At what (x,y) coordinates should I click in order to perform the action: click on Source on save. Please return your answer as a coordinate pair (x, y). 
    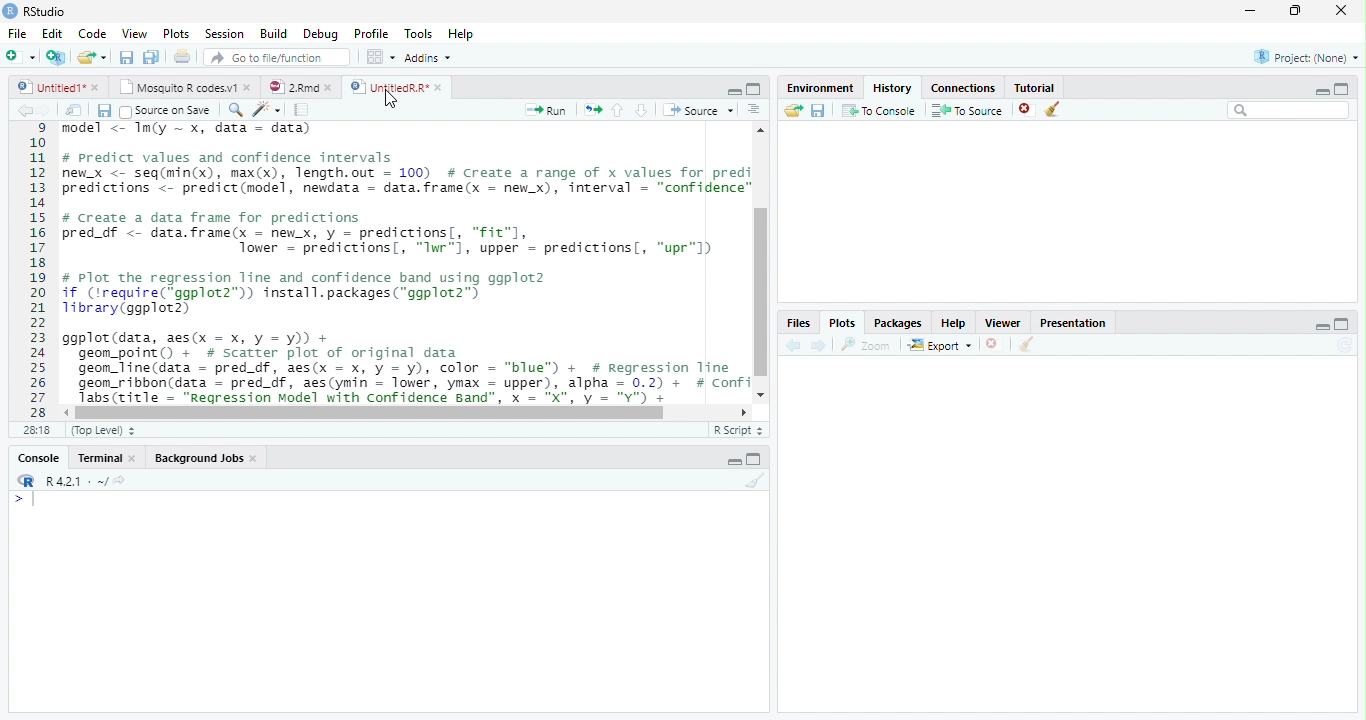
    Looking at the image, I should click on (166, 110).